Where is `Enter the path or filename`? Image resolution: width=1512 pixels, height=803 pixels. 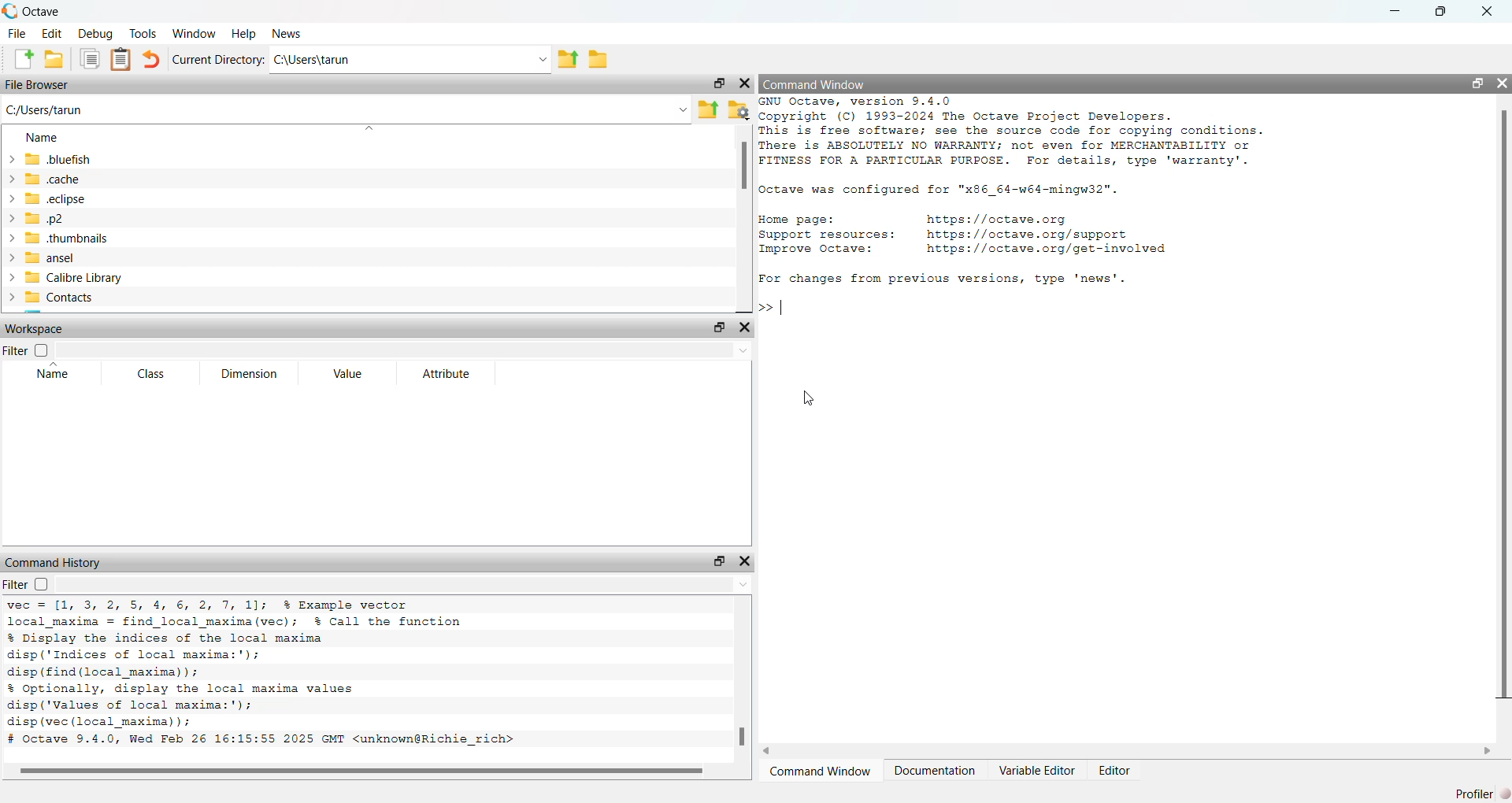
Enter the path or filename is located at coordinates (682, 109).